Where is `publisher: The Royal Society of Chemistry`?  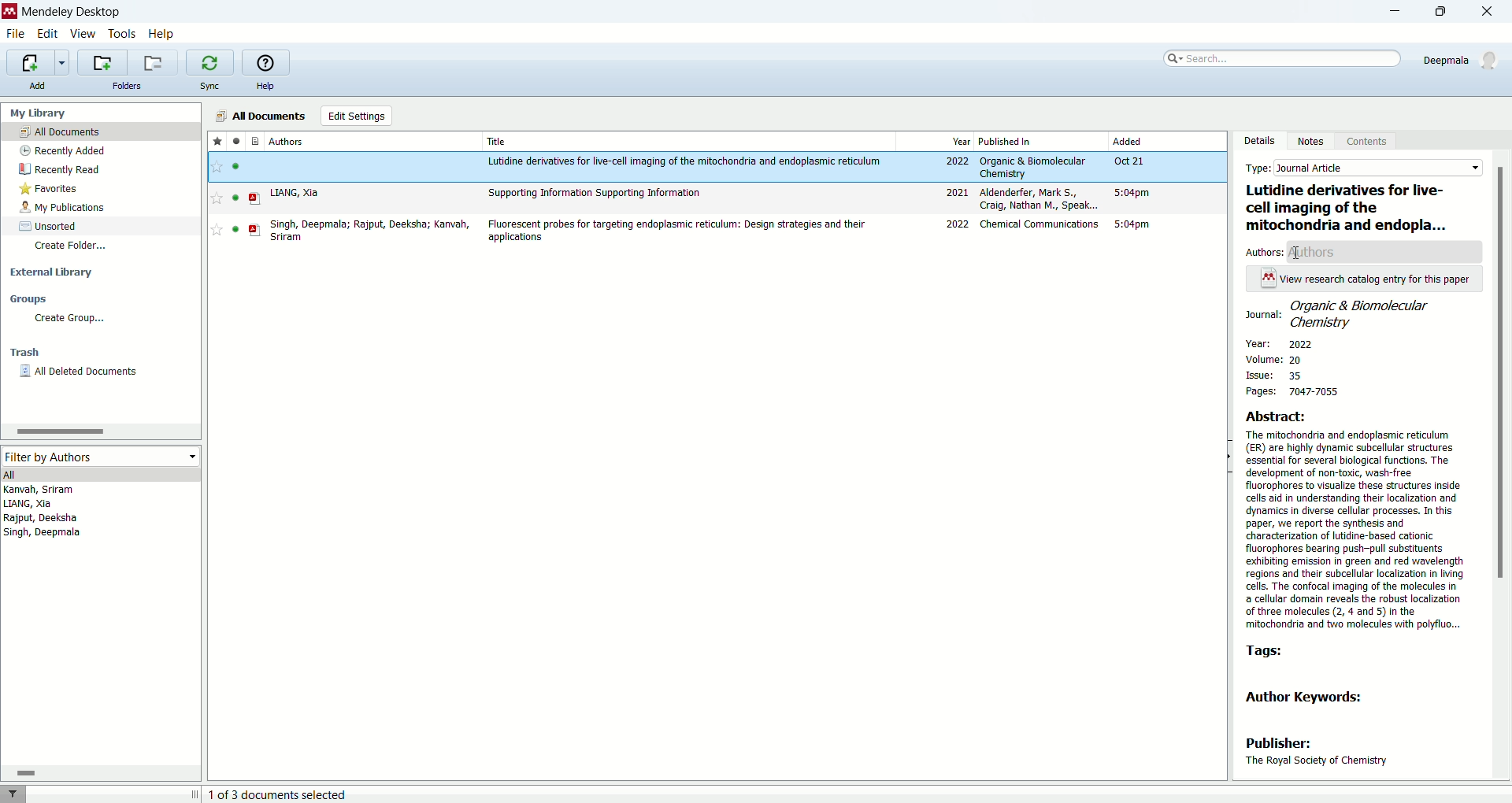
publisher: The Royal Society of Chemistry is located at coordinates (1317, 753).